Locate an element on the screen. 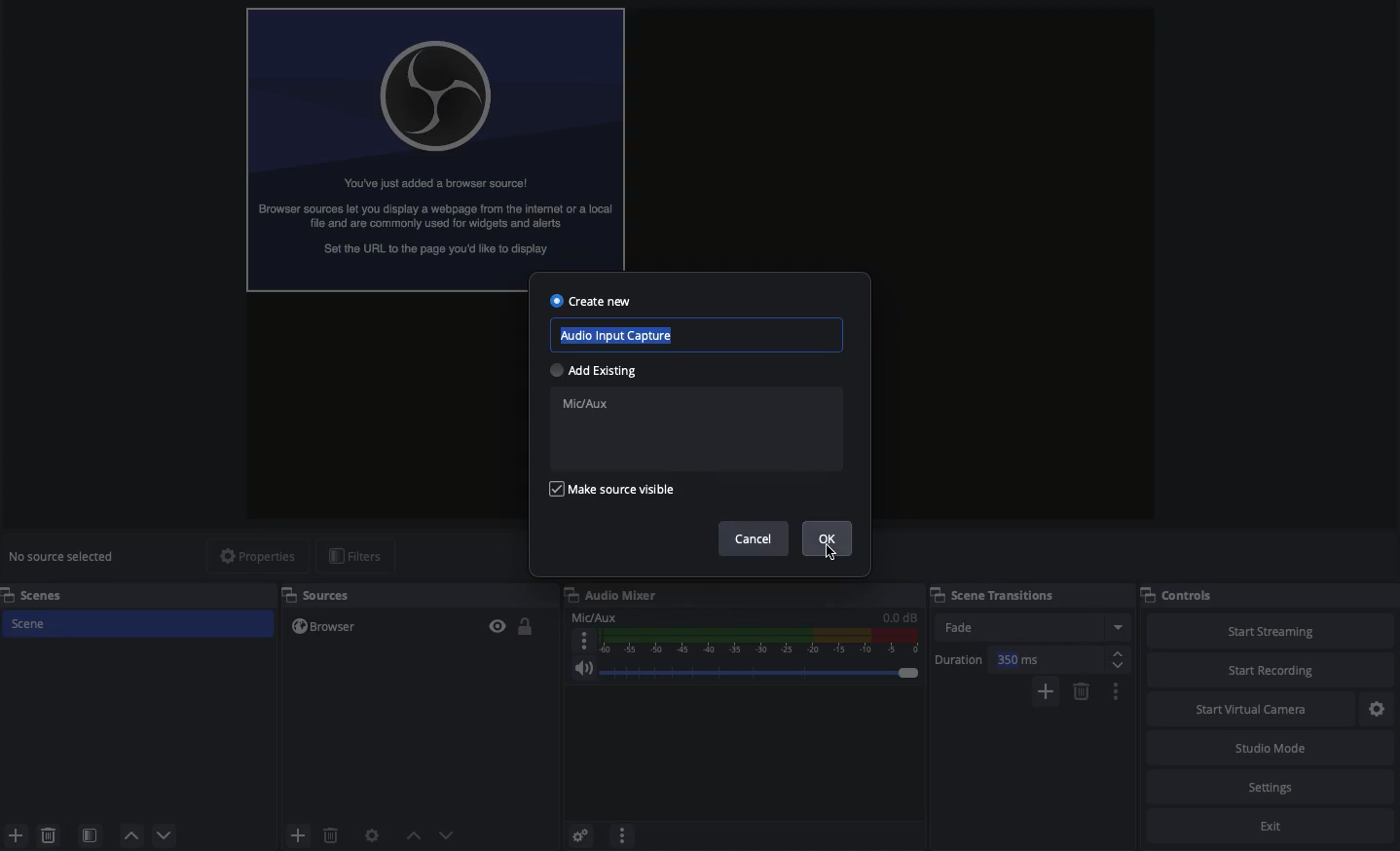  Move down is located at coordinates (446, 834).